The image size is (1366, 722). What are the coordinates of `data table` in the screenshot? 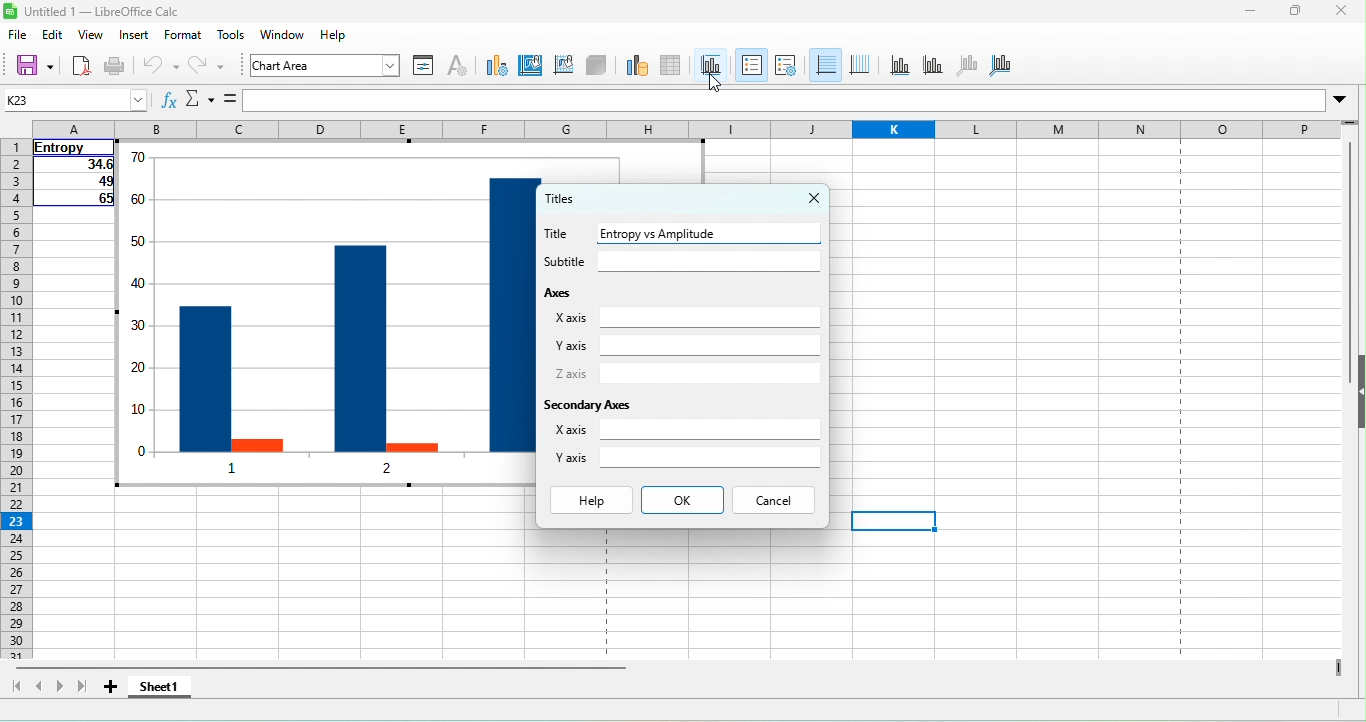 It's located at (674, 67).